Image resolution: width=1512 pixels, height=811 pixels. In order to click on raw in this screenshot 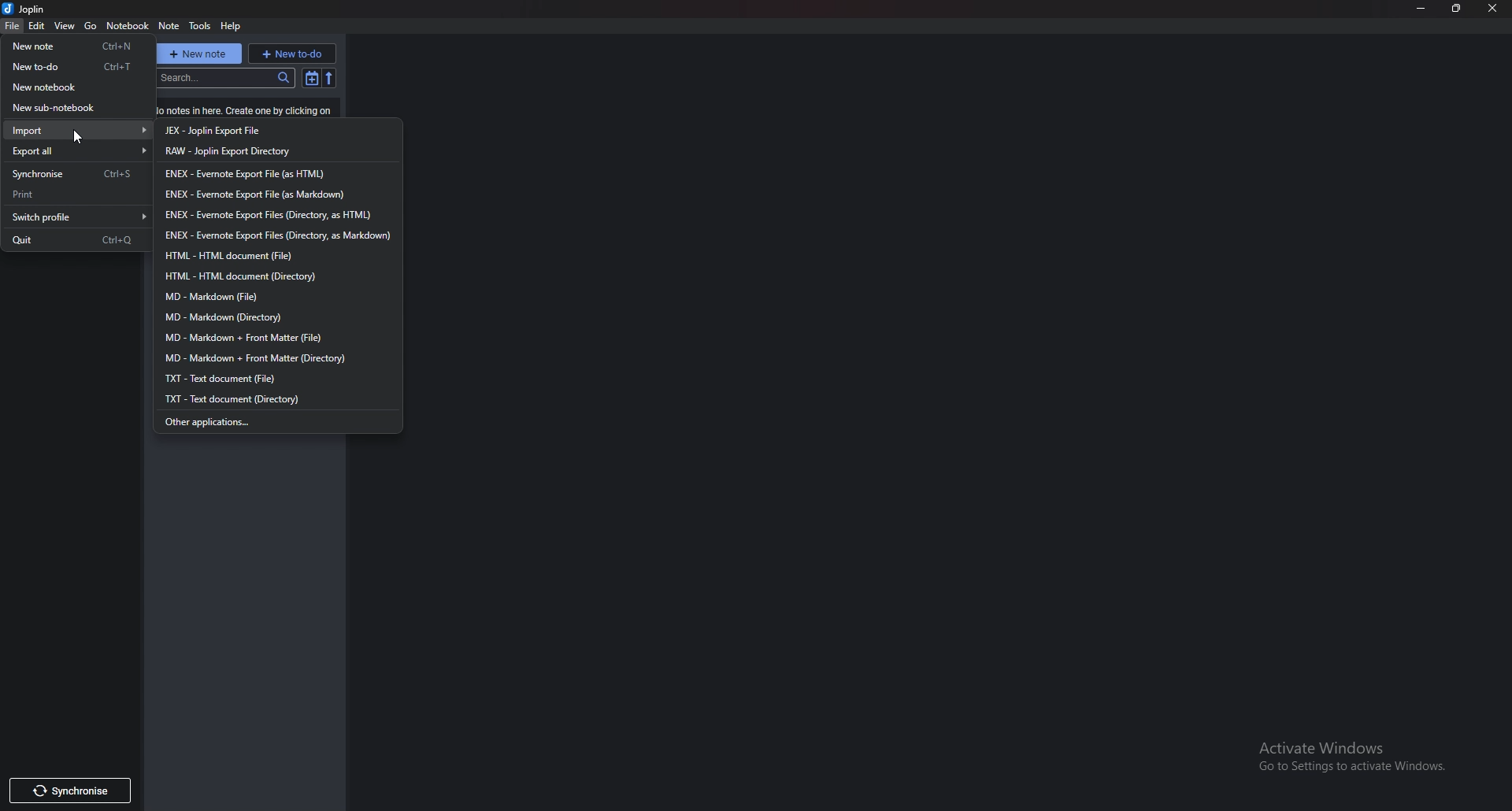, I will do `click(243, 151)`.